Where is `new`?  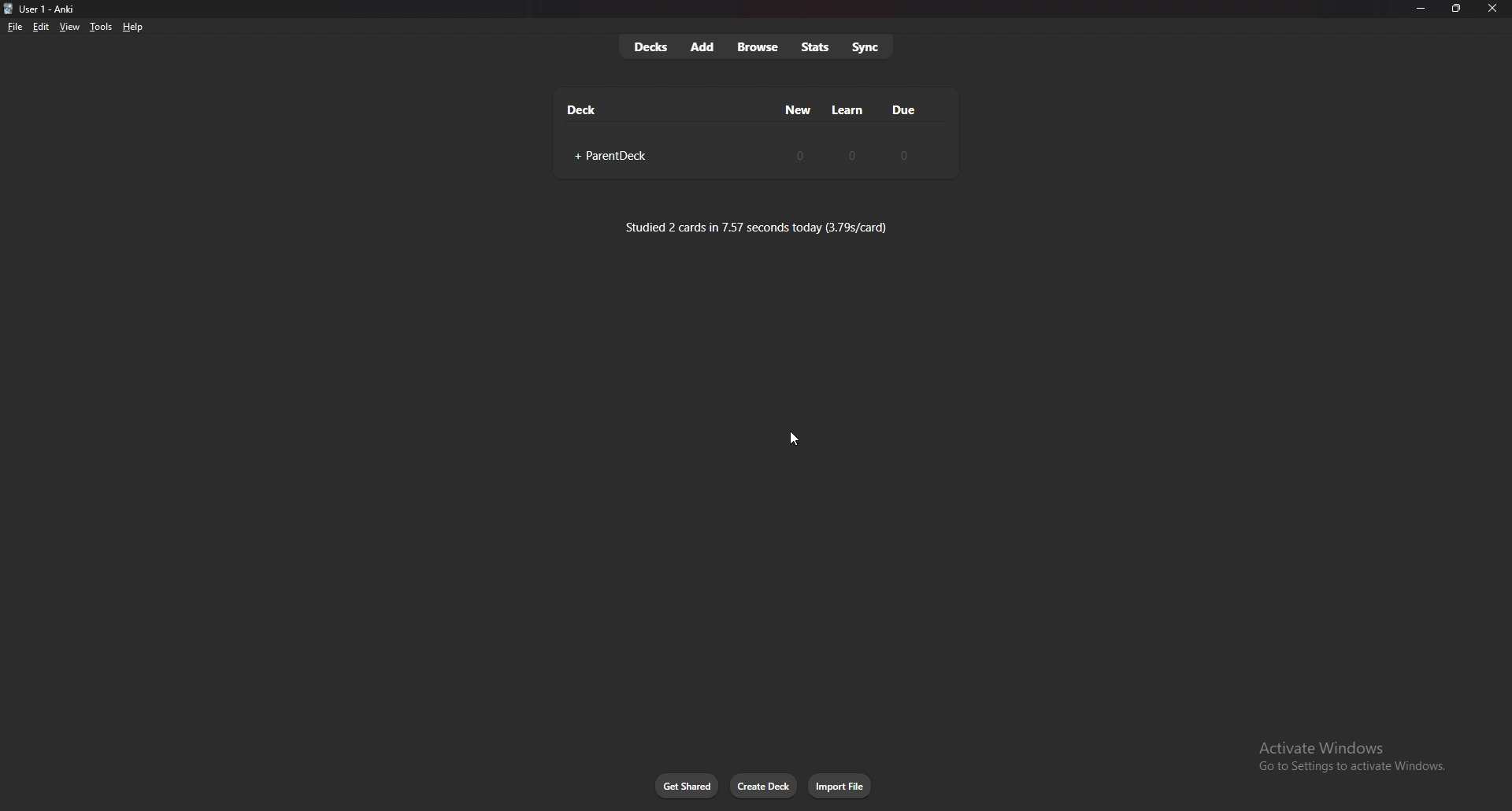
new is located at coordinates (799, 109).